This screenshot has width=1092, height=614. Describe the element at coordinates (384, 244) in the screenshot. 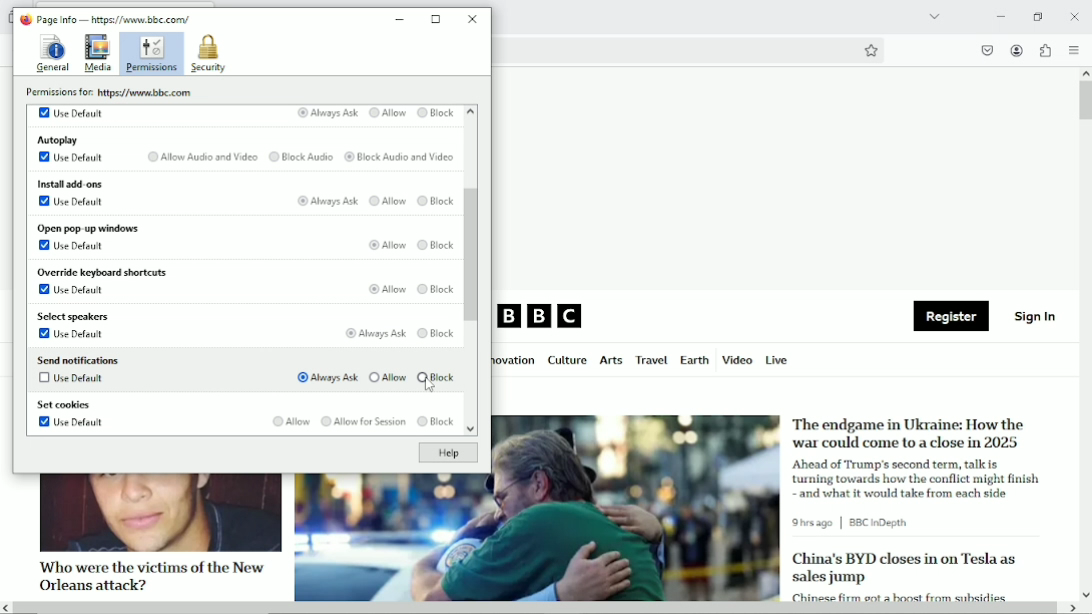

I see `Allow` at that location.